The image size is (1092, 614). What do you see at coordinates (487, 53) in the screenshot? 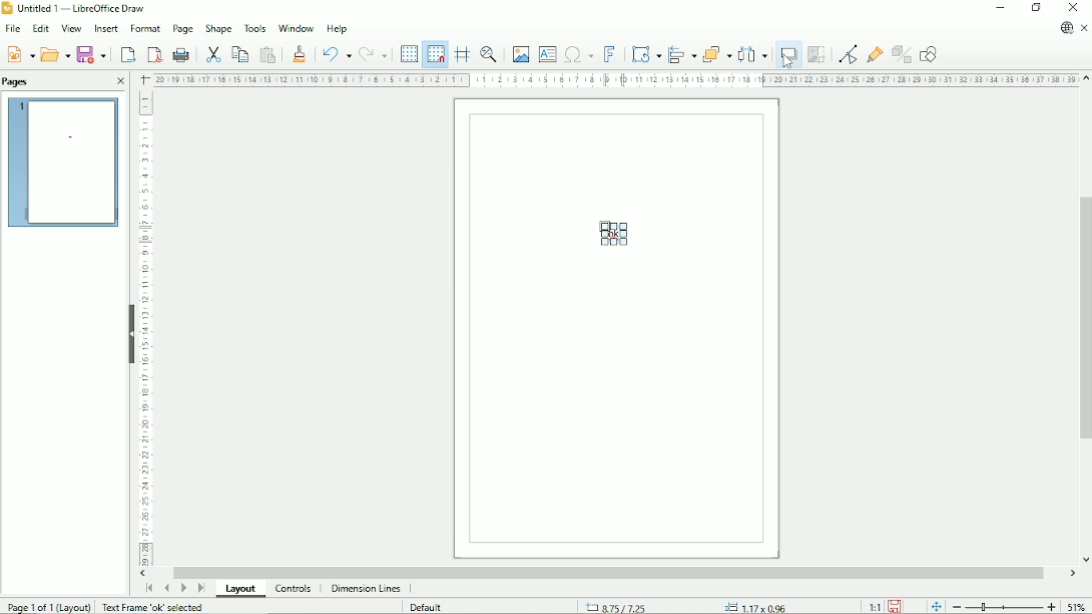
I see `Zoom & pan` at bounding box center [487, 53].